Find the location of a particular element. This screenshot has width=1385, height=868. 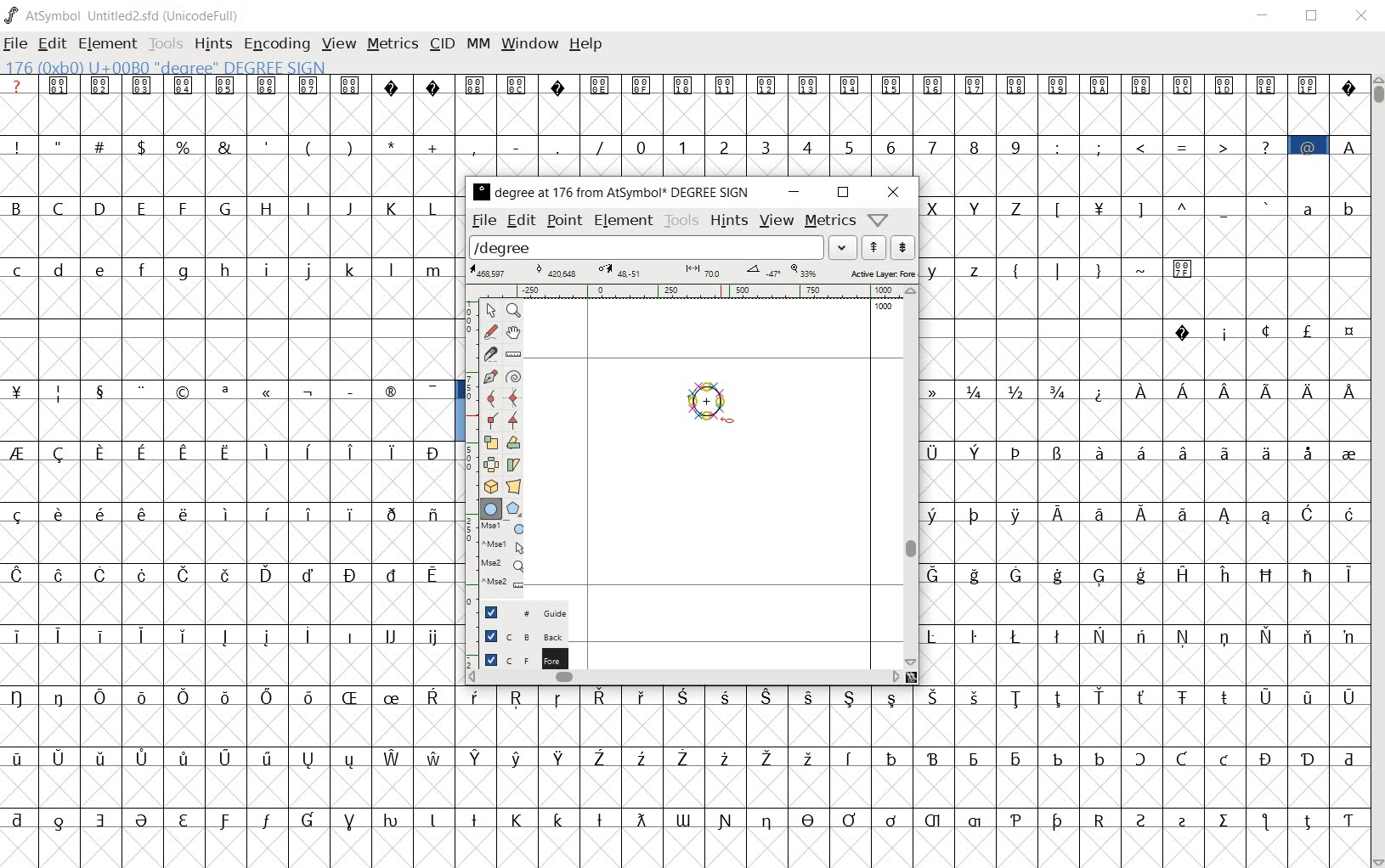

help/window is located at coordinates (878, 219).